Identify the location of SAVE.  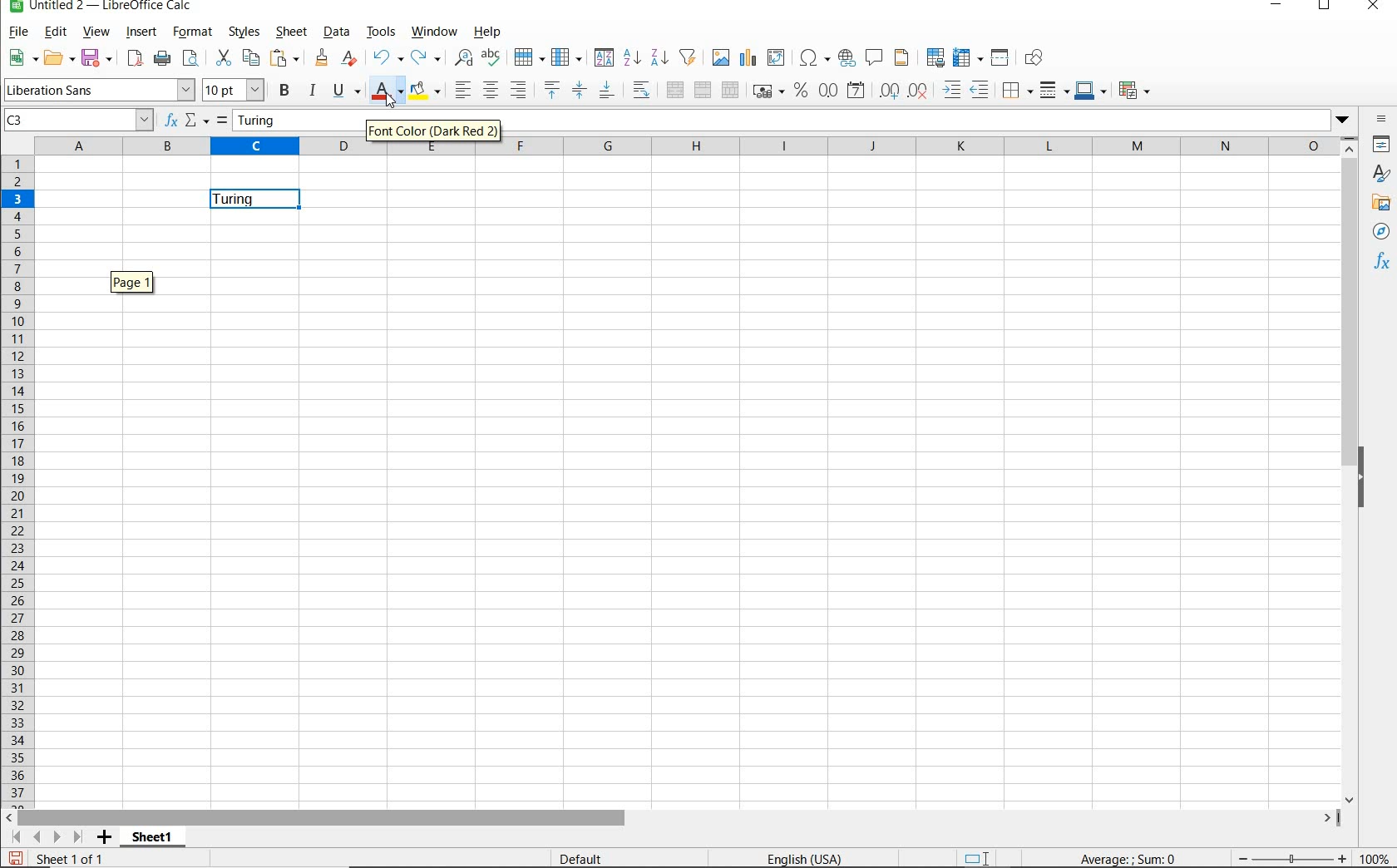
(14, 859).